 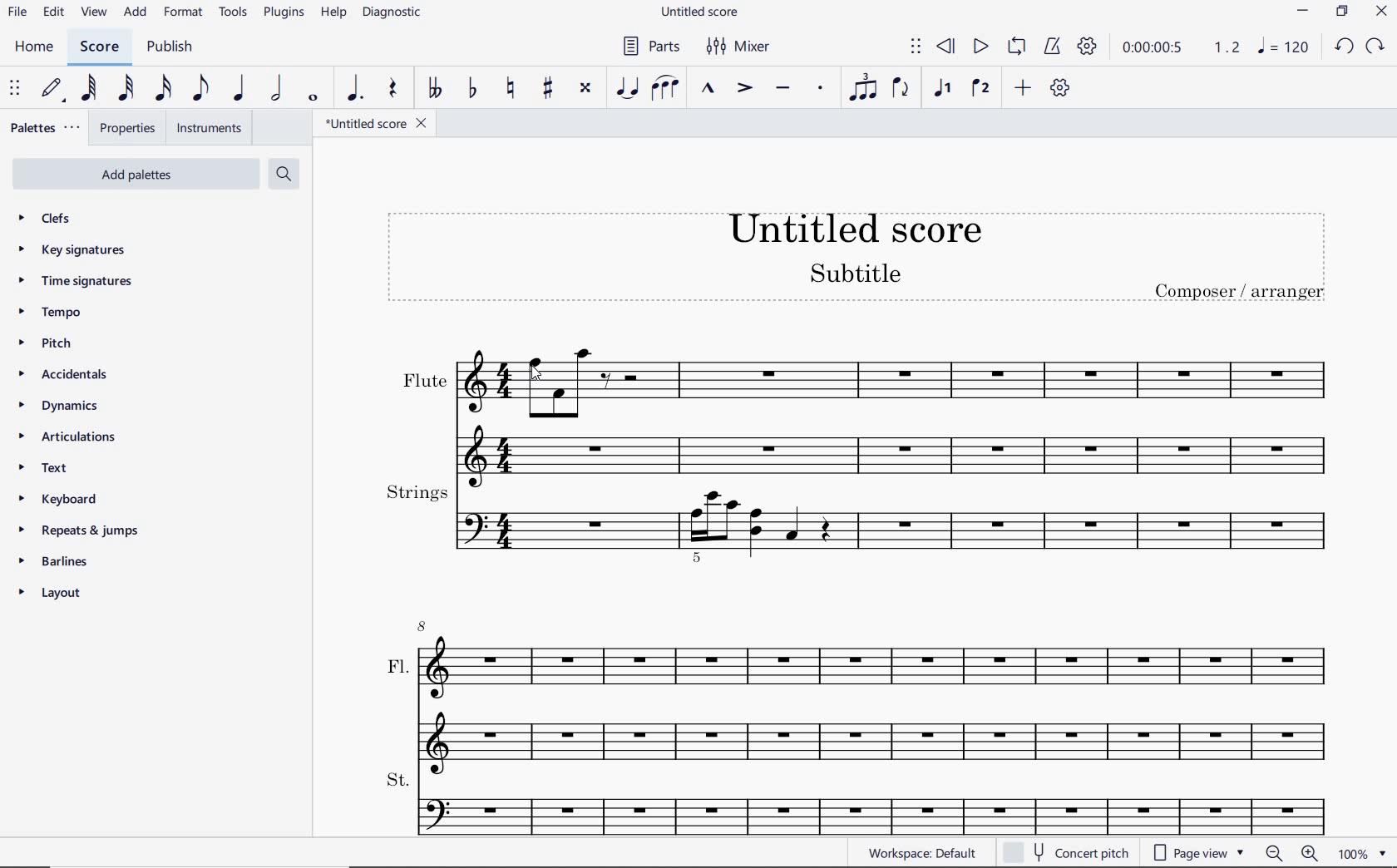 I want to click on WORKSPACE: DEFAULT, so click(x=921, y=854).